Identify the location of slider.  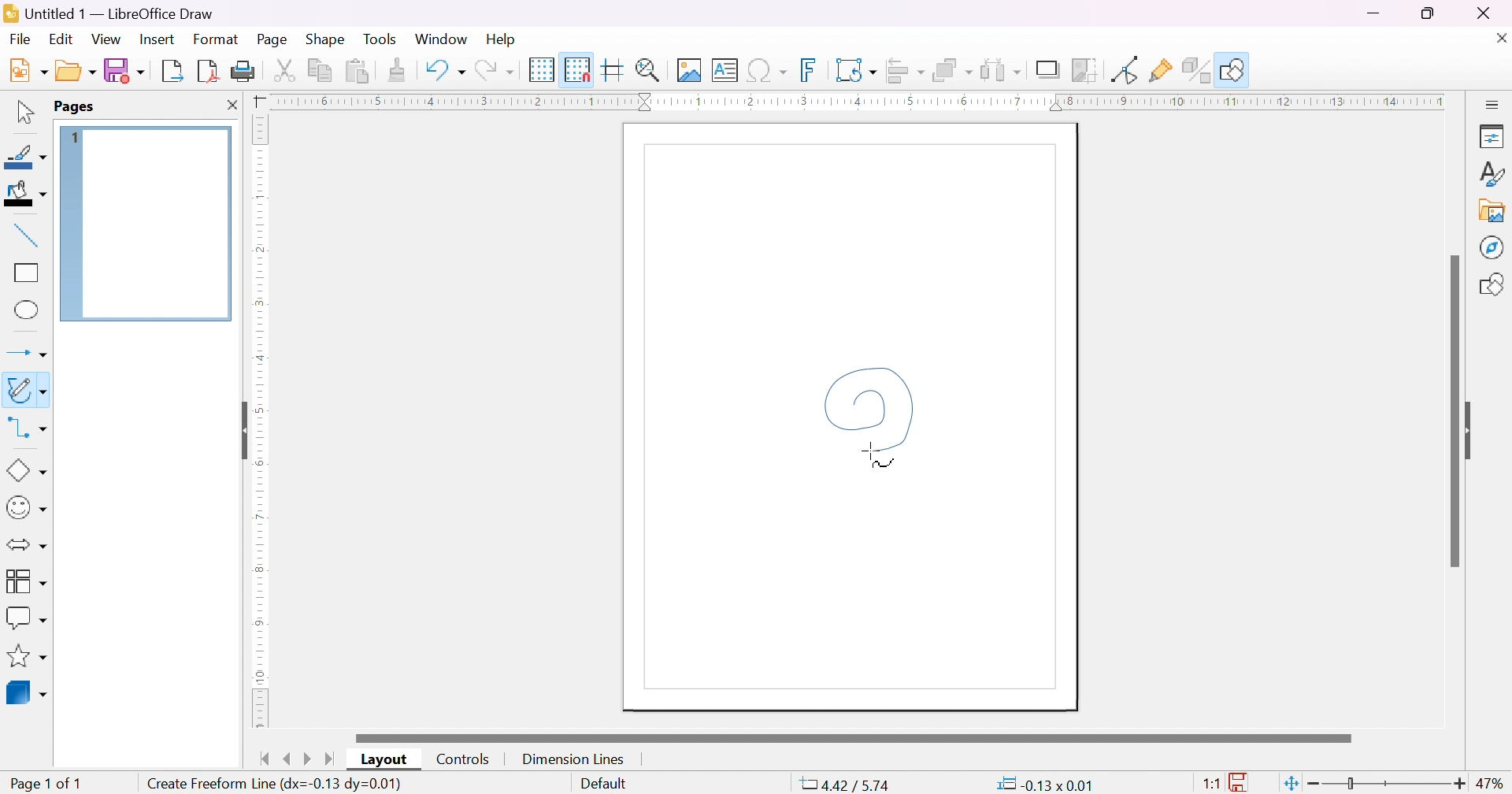
(1390, 785).